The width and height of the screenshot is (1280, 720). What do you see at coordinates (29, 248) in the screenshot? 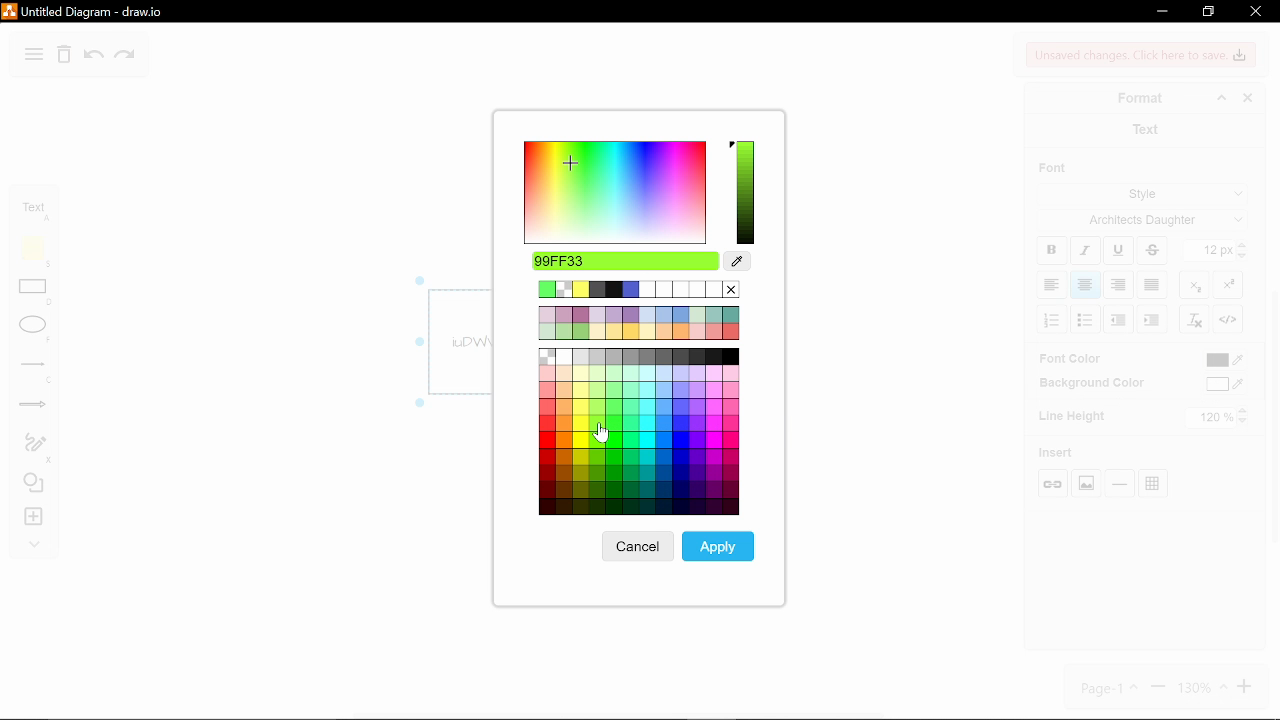
I see `note` at bounding box center [29, 248].